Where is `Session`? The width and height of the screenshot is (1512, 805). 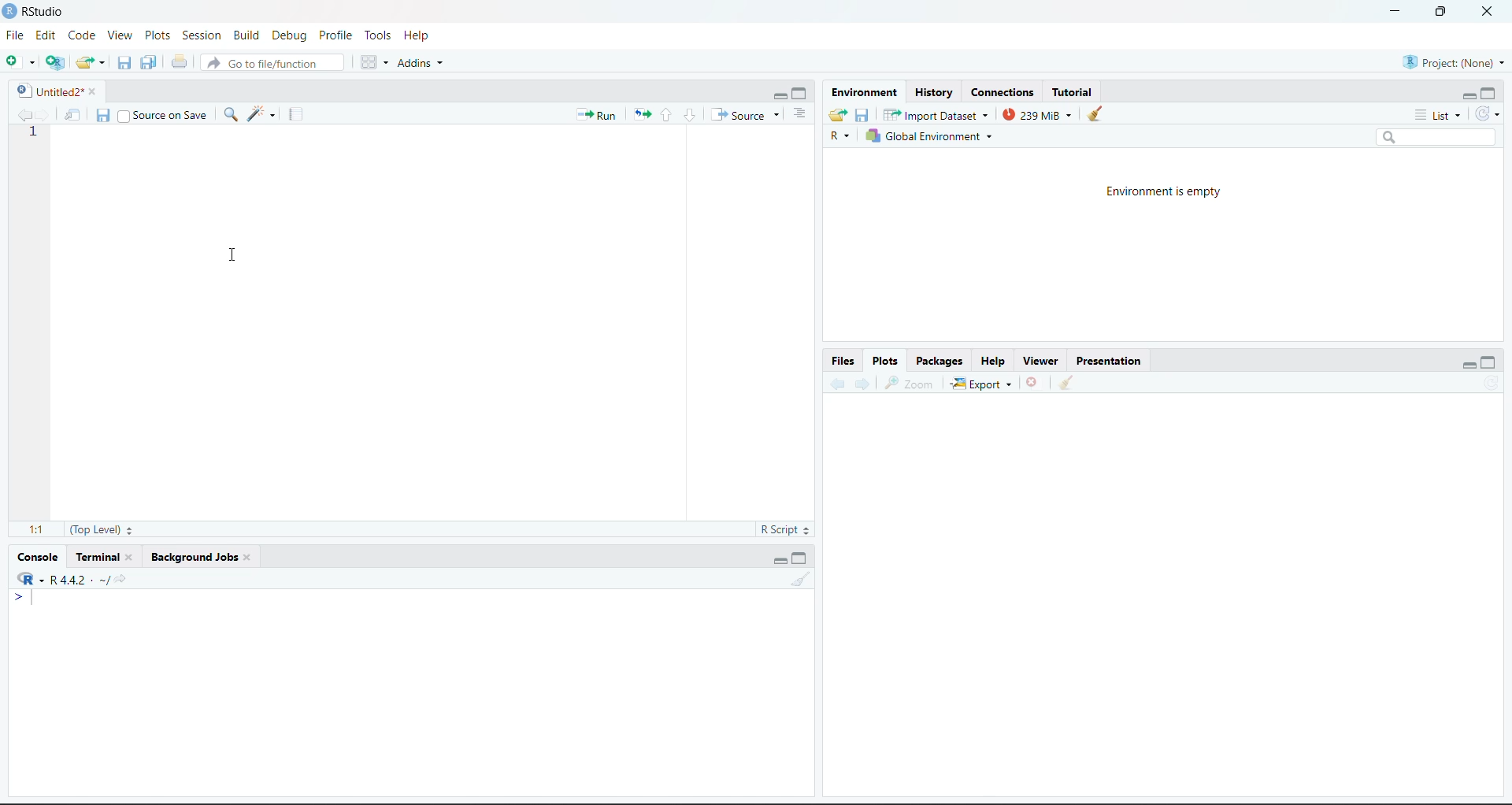 Session is located at coordinates (202, 34).